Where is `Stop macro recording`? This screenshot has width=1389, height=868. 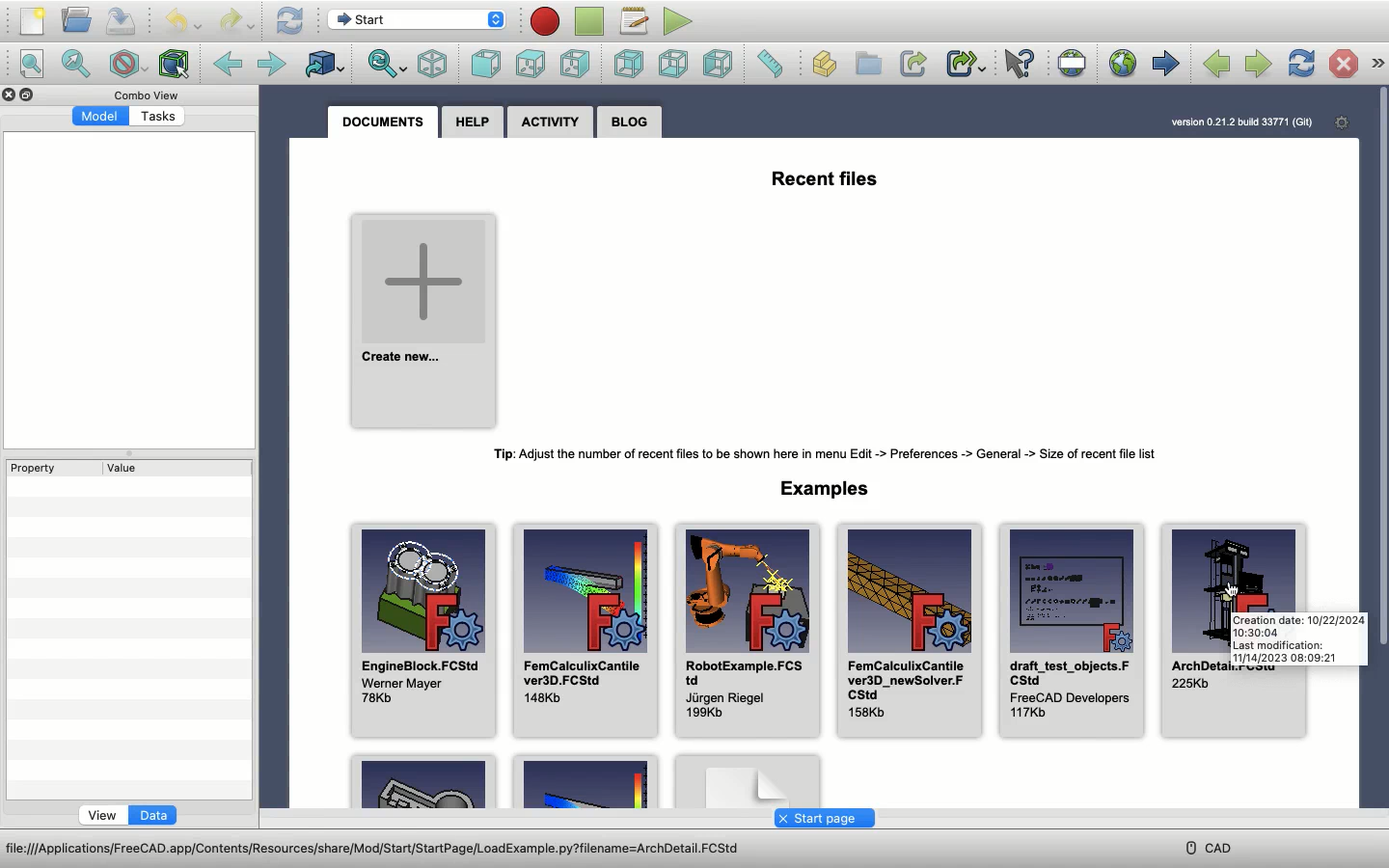
Stop macro recording is located at coordinates (590, 22).